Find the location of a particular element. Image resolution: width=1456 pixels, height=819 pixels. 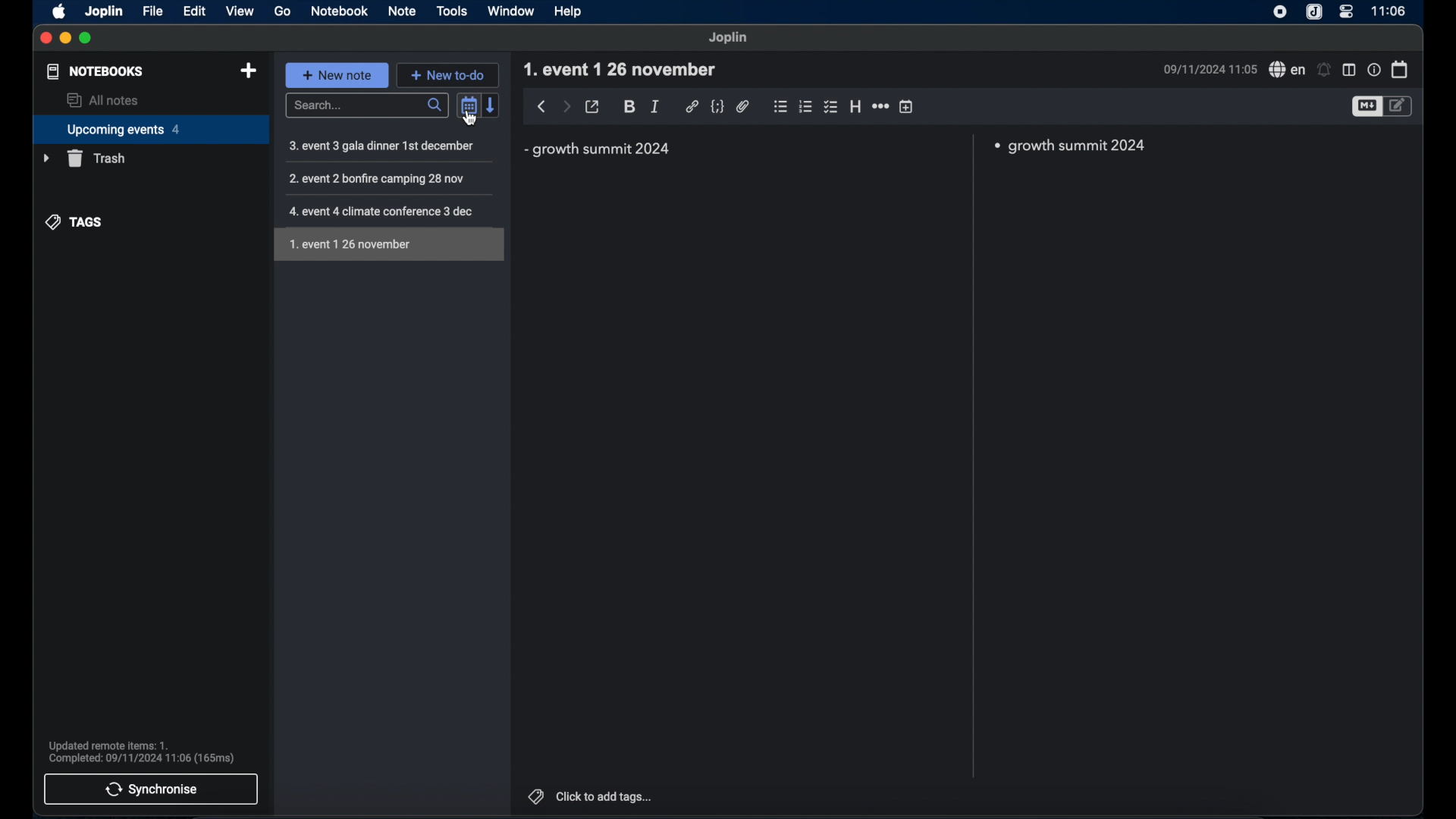

toggle editor  layout is located at coordinates (1349, 71).